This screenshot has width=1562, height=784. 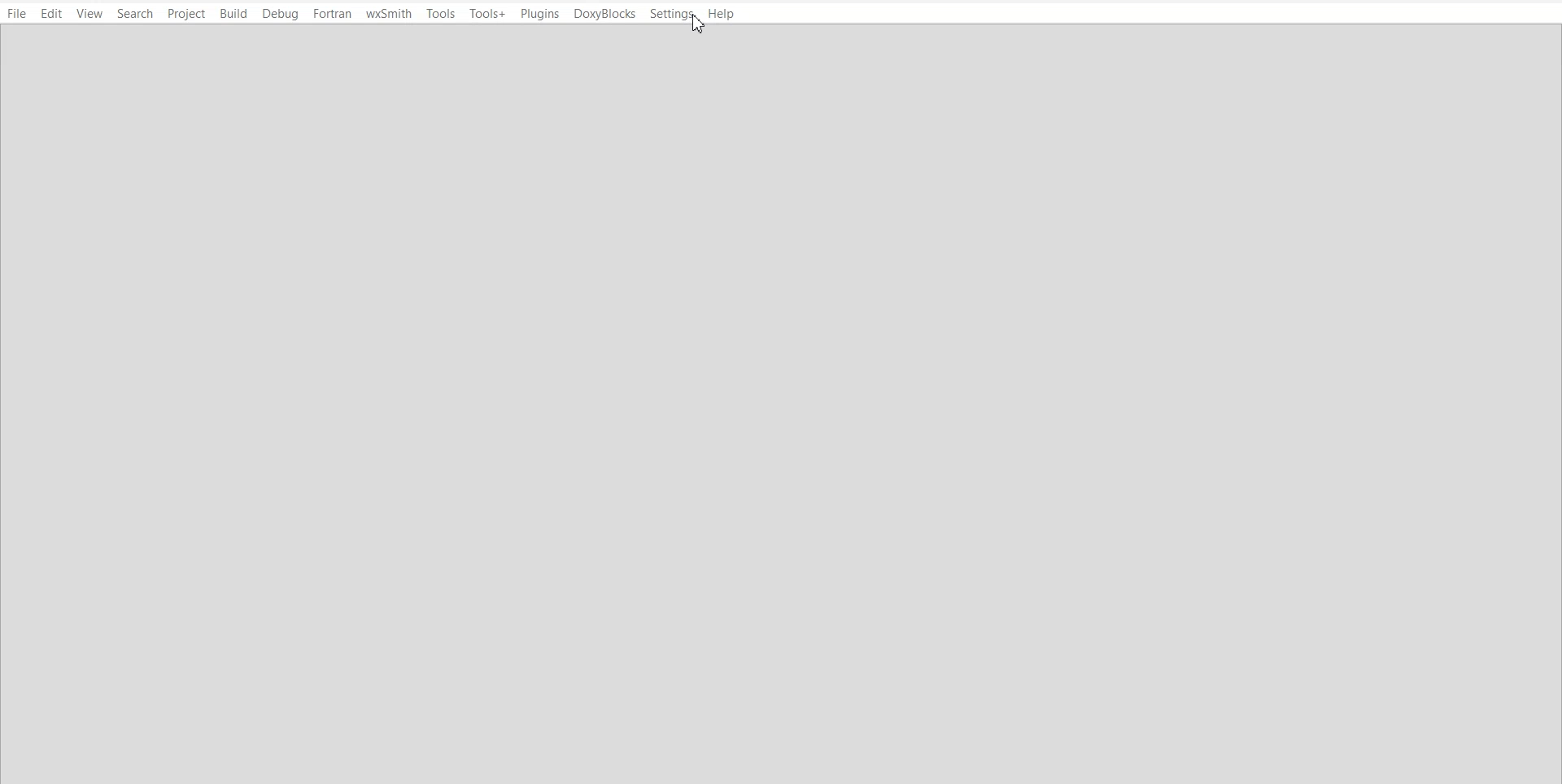 What do you see at coordinates (51, 14) in the screenshot?
I see `Edit` at bounding box center [51, 14].